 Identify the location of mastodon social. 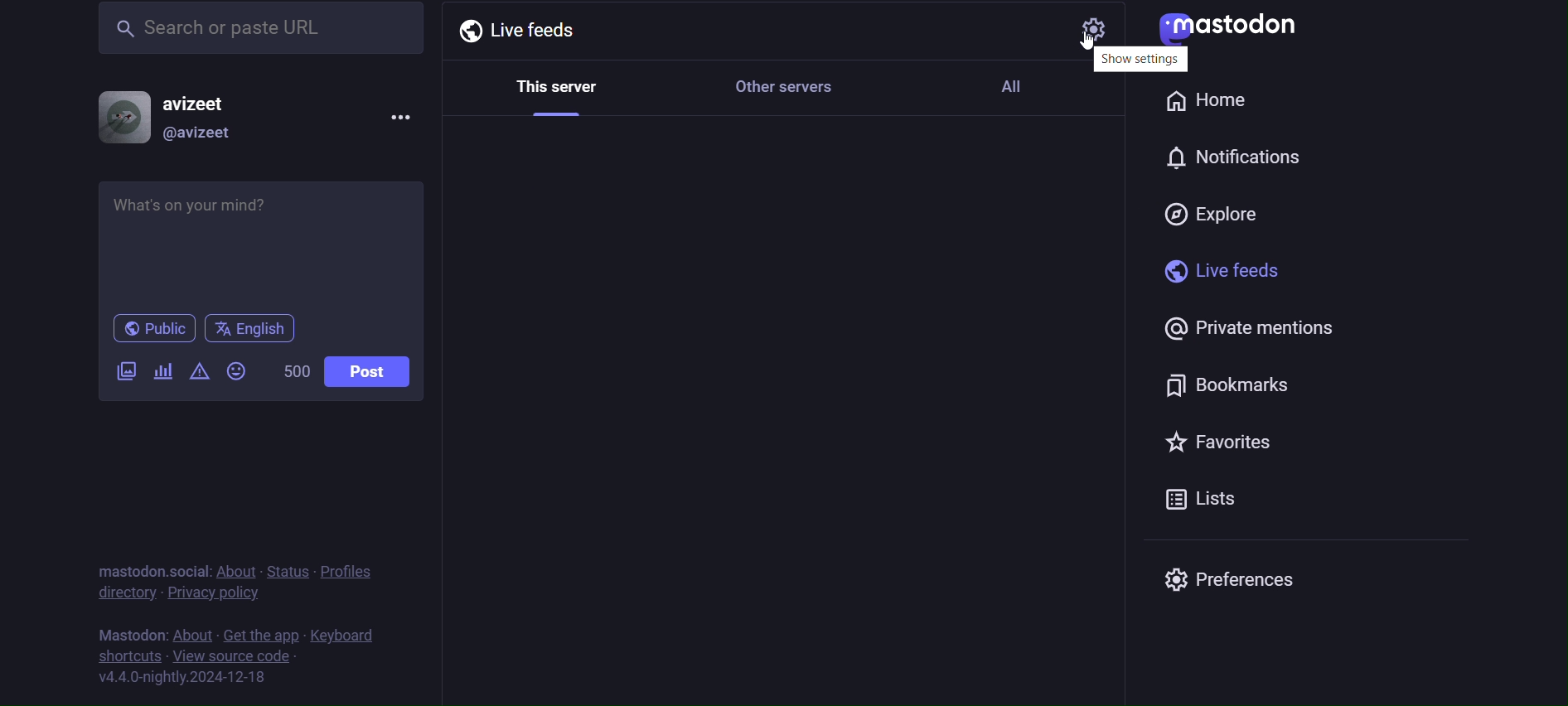
(145, 567).